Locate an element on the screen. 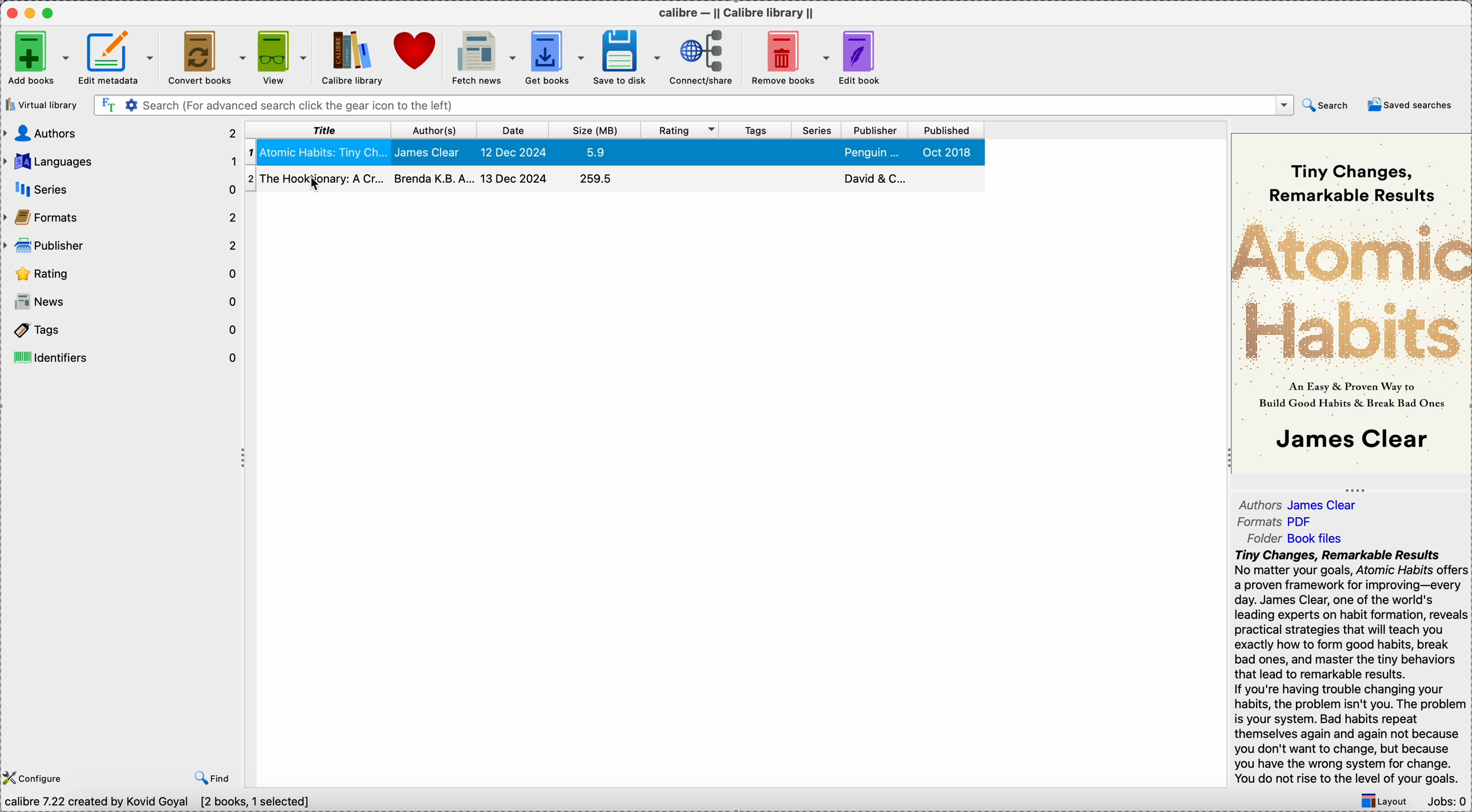 Image resolution: width=1472 pixels, height=812 pixels. jobs: 0 is located at coordinates (1446, 800).